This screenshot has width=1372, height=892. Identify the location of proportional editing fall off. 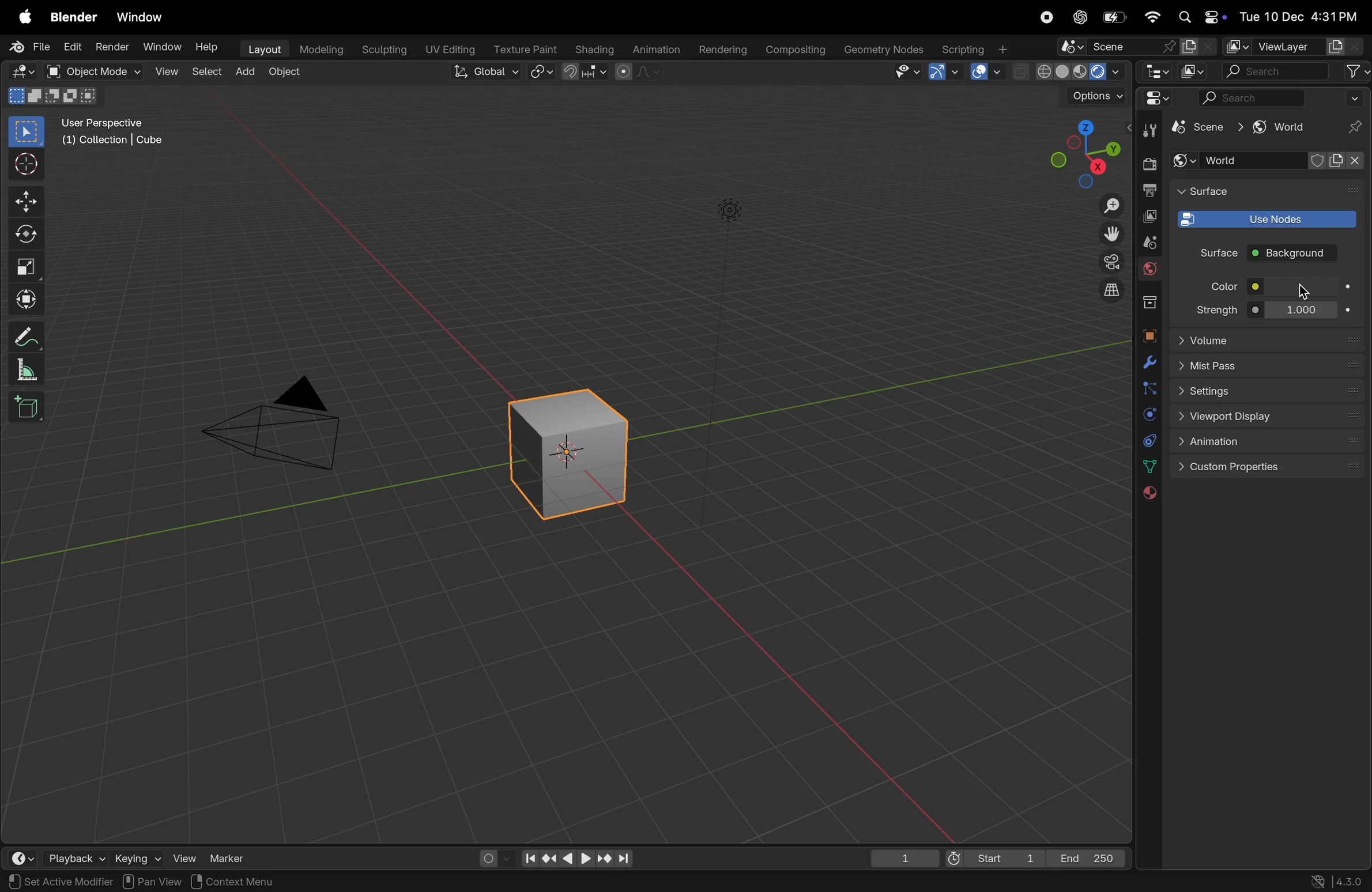
(639, 74).